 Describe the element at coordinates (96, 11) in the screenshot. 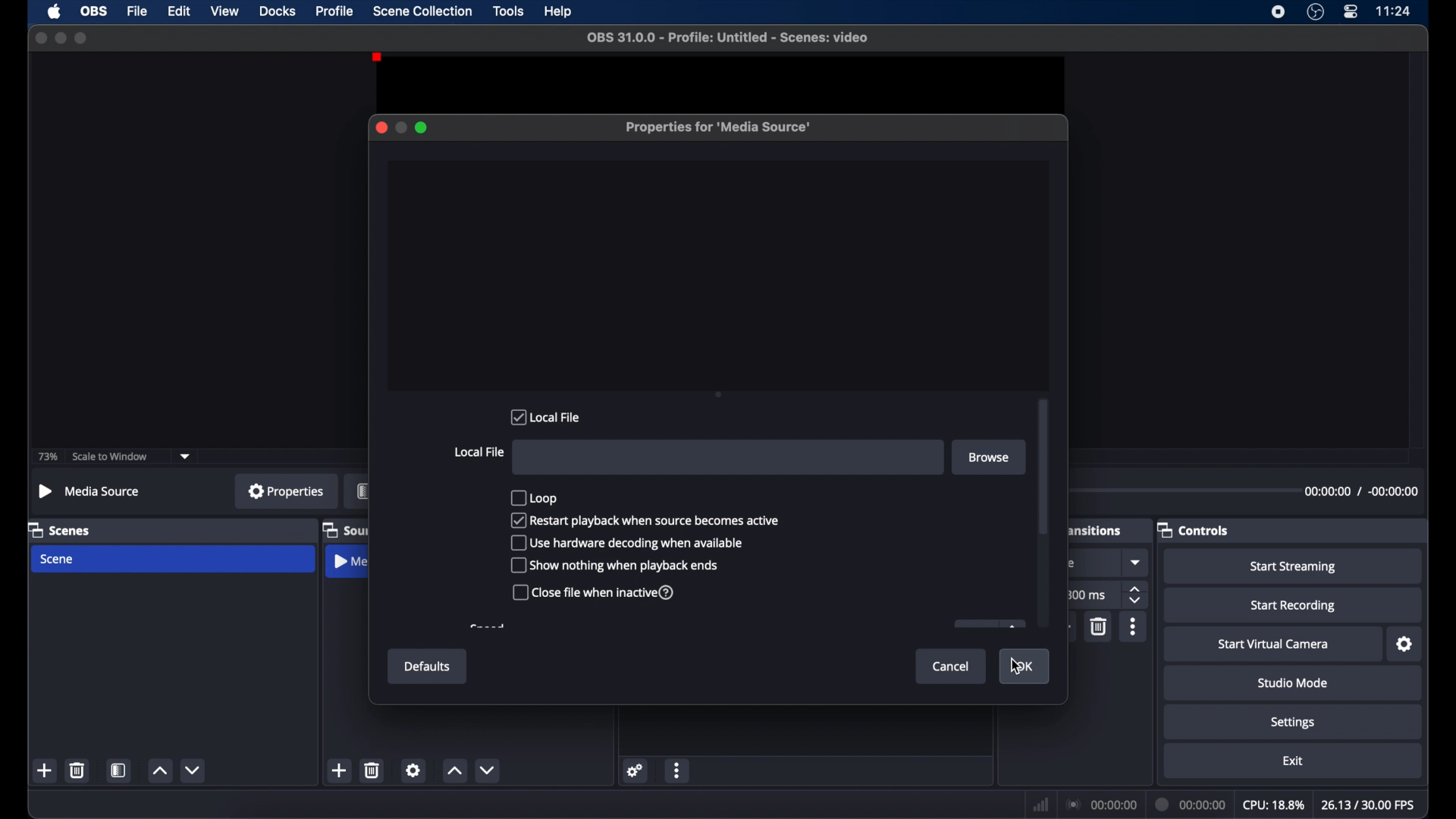

I see `obs` at that location.